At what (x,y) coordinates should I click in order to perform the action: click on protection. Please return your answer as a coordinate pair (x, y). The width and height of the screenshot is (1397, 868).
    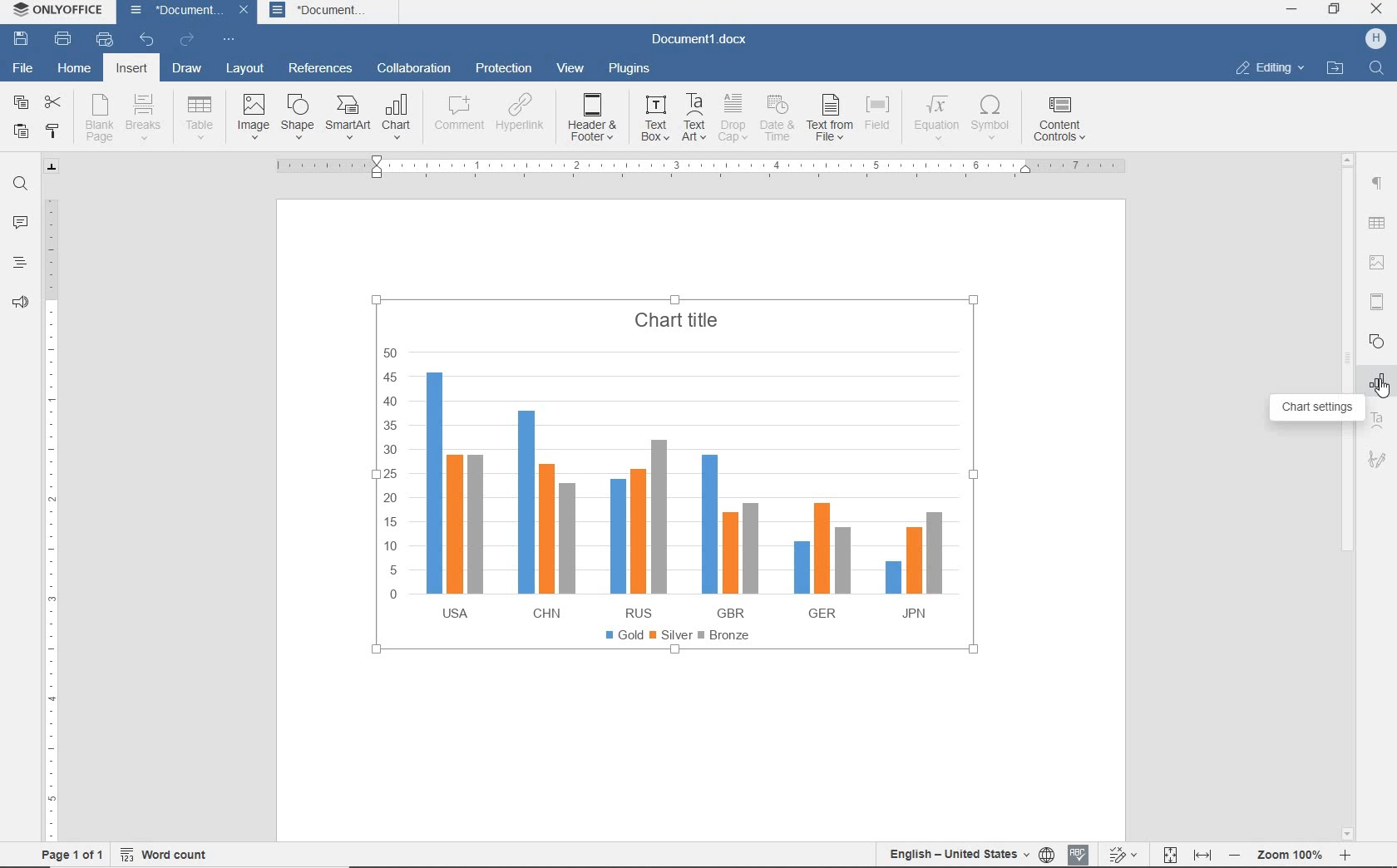
    Looking at the image, I should click on (503, 67).